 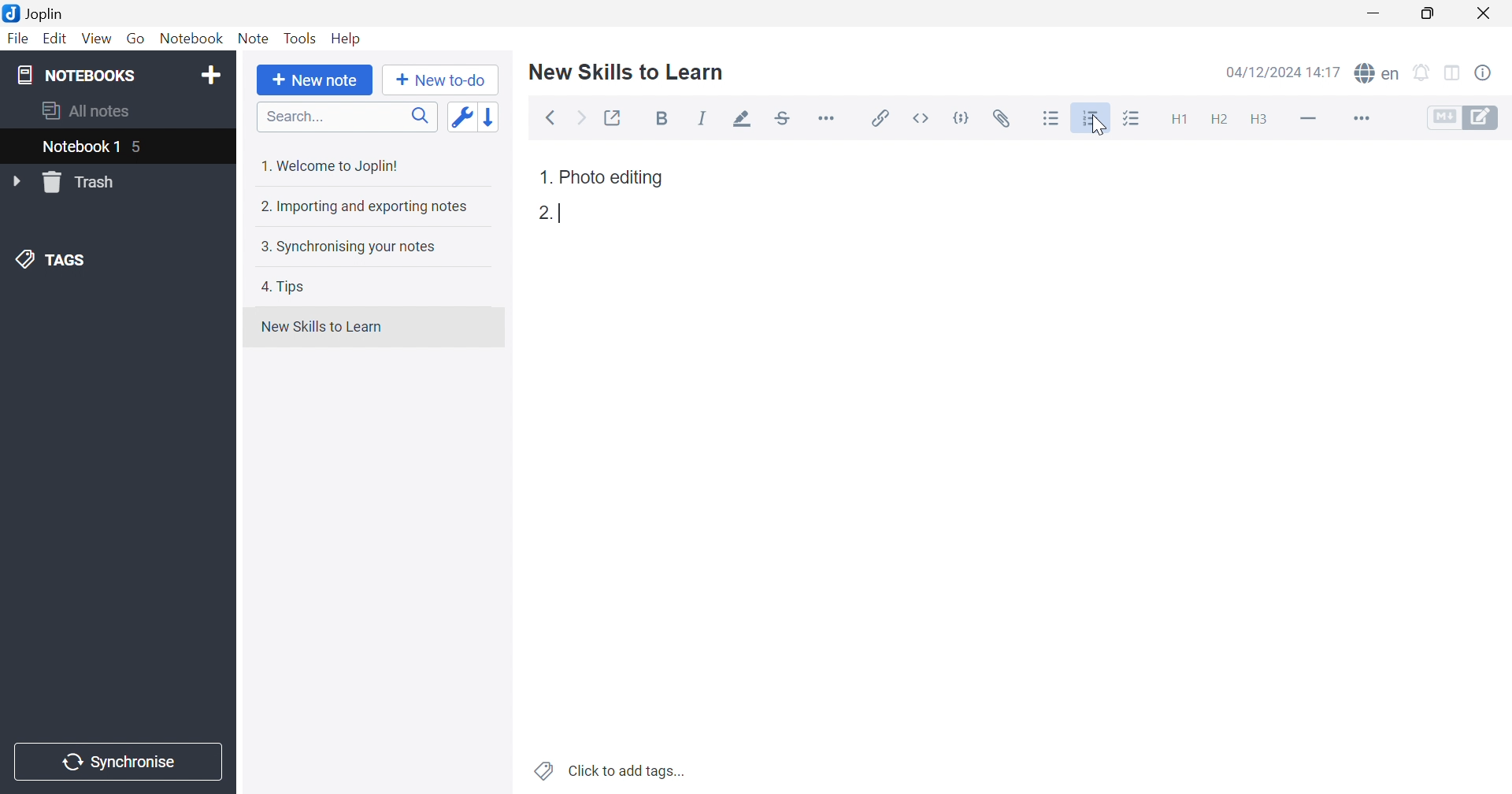 What do you see at coordinates (1376, 72) in the screenshot?
I see `Spell checker` at bounding box center [1376, 72].